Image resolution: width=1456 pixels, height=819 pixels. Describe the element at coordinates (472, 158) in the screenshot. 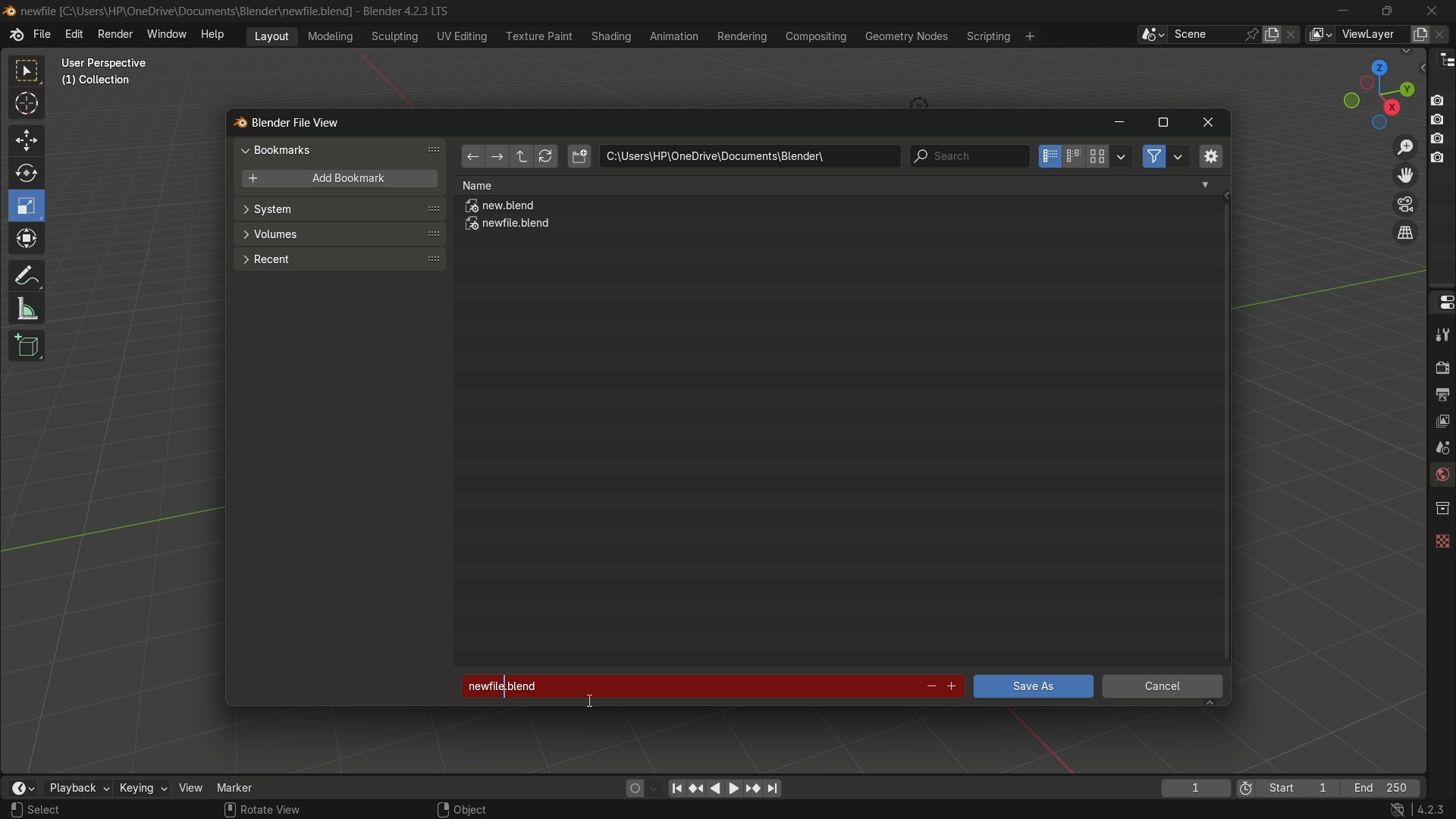

I see `back` at that location.